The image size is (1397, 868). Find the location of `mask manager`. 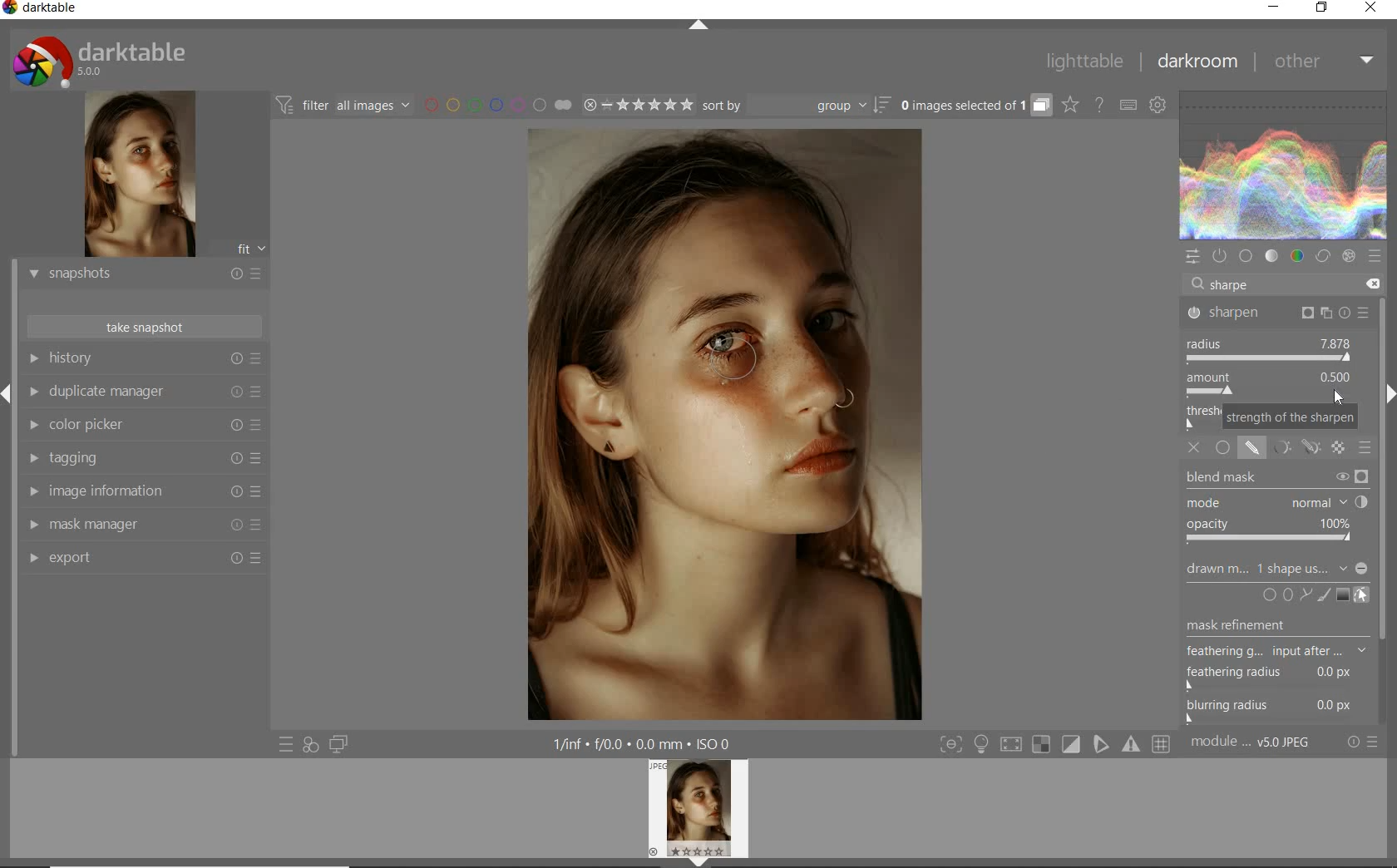

mask manager is located at coordinates (144, 525).